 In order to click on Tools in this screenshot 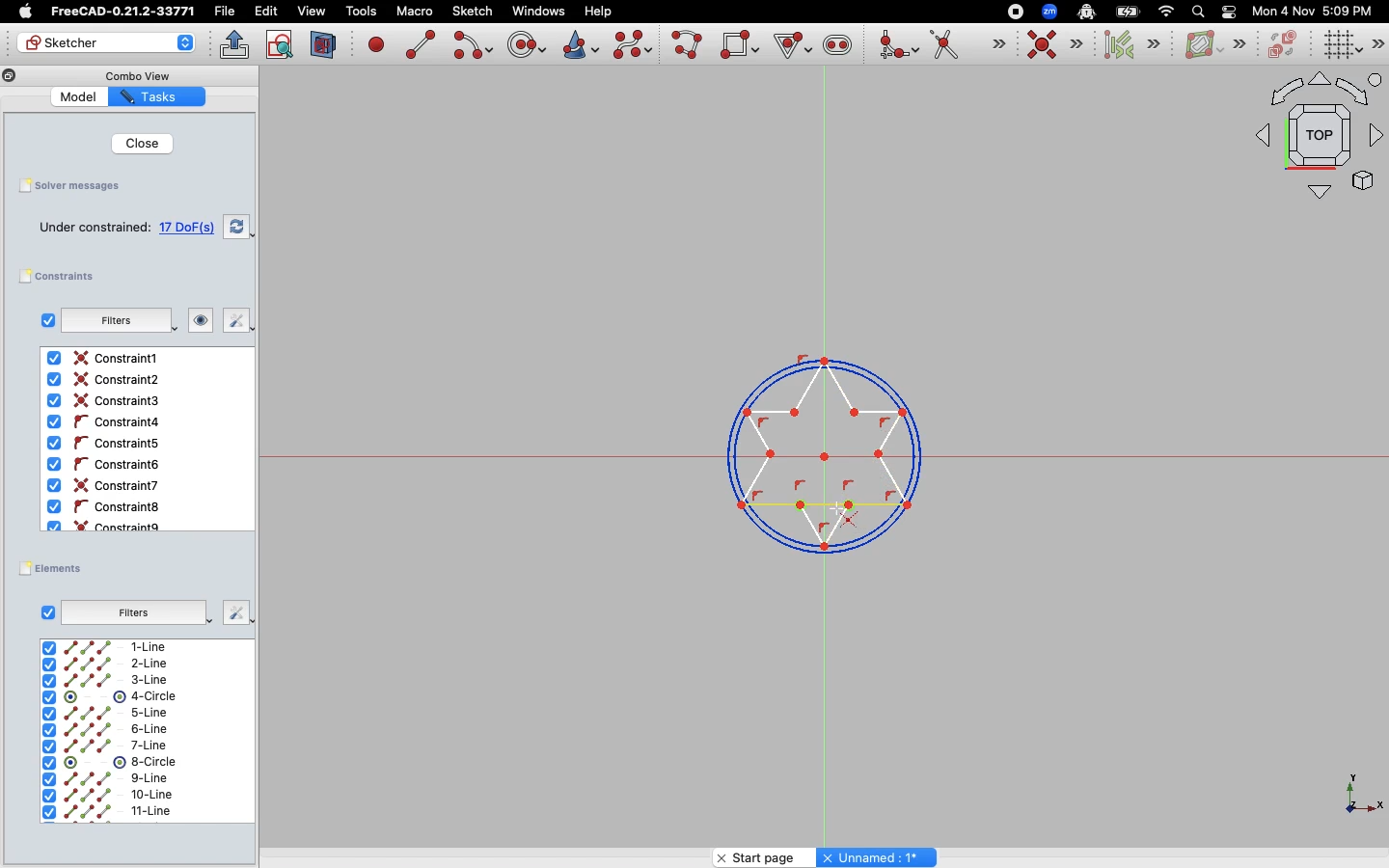, I will do `click(361, 13)`.